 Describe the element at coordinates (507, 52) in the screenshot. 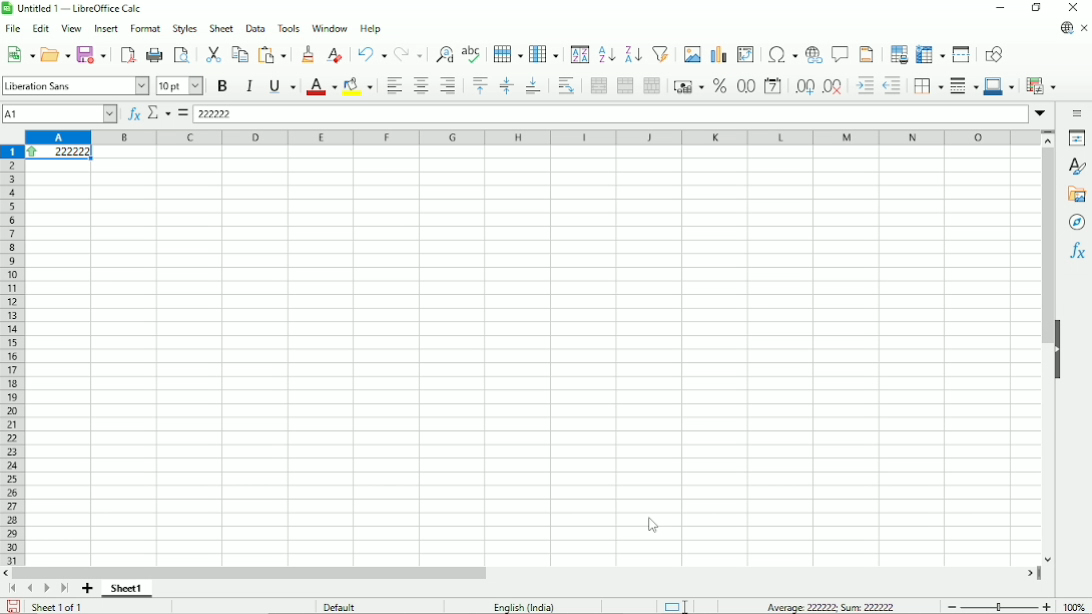

I see `Row` at that location.